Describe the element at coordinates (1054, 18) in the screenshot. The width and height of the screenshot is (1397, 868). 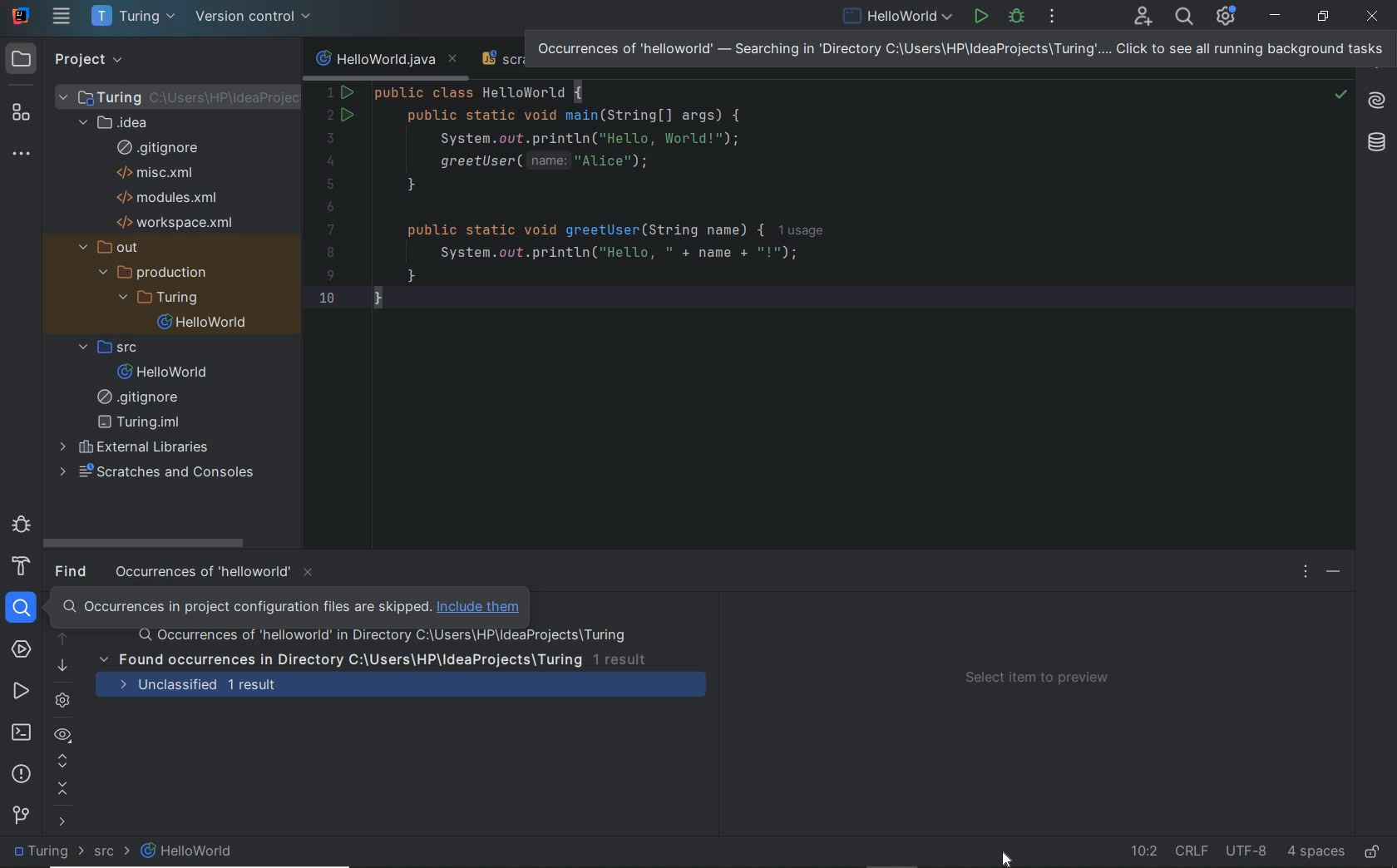
I see `more actions` at that location.